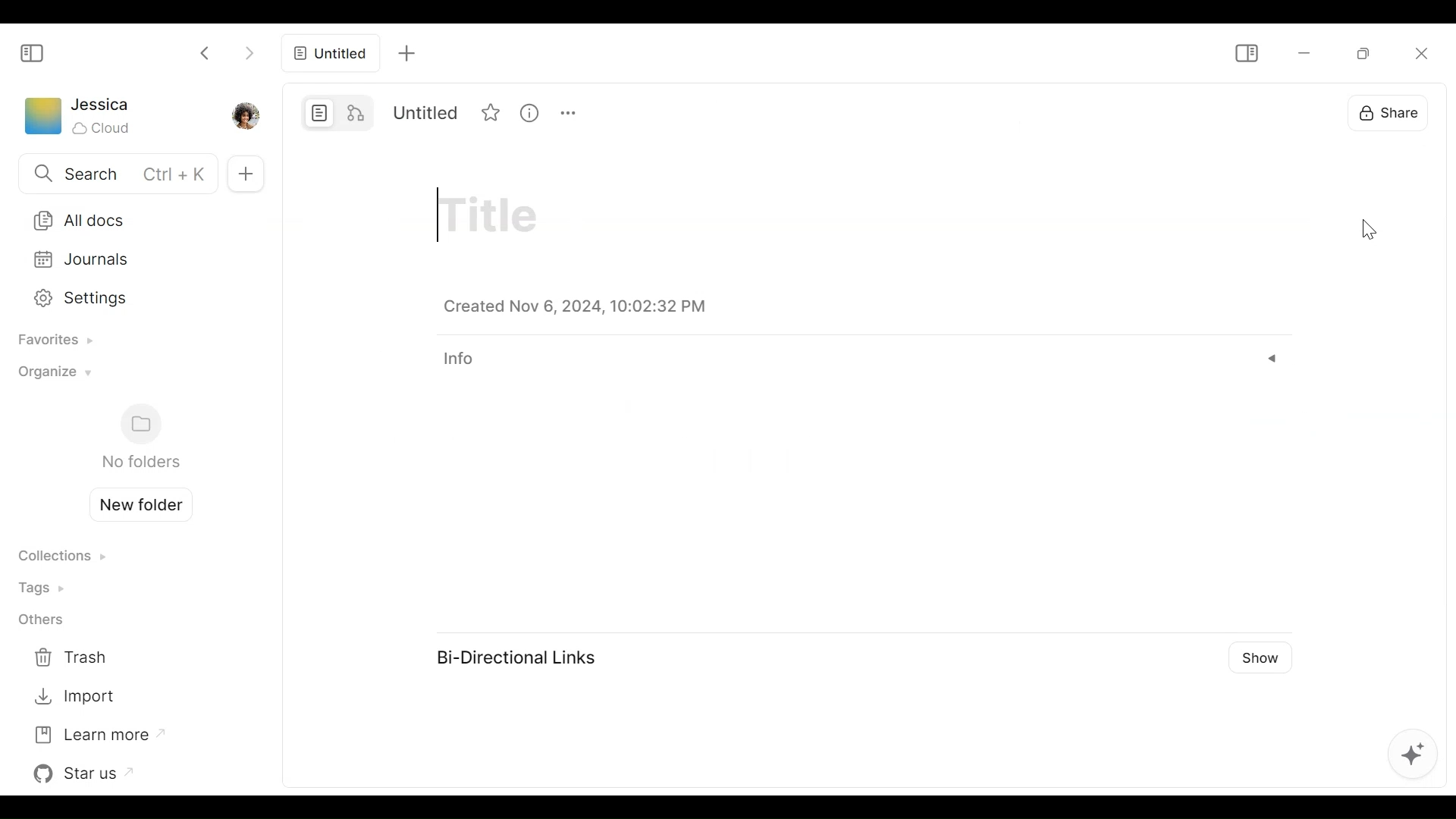 The width and height of the screenshot is (1456, 819). What do you see at coordinates (428, 112) in the screenshot?
I see `Title` at bounding box center [428, 112].